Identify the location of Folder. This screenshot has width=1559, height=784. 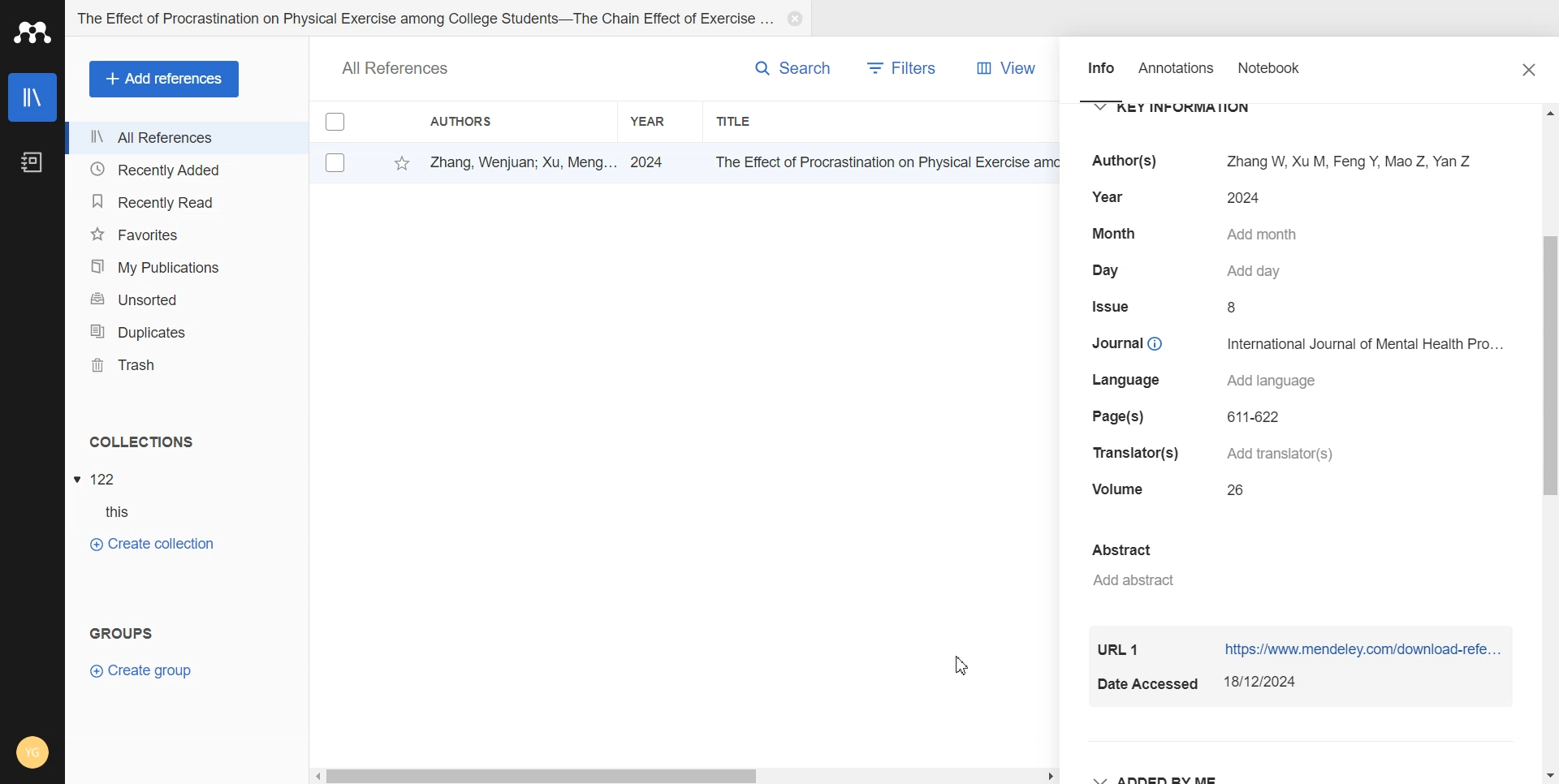
(423, 19).